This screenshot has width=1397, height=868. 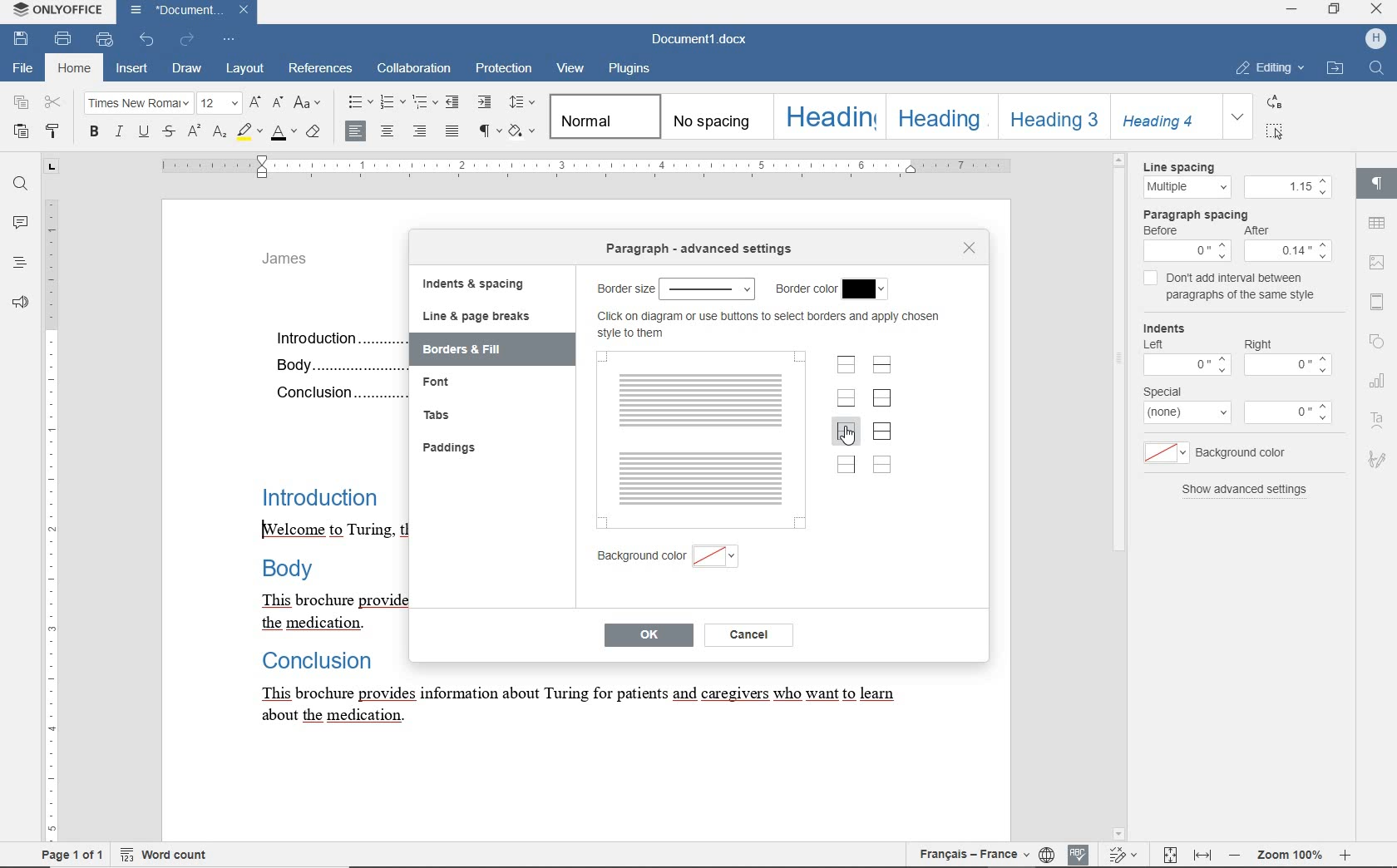 I want to click on more options, so click(x=1291, y=412).